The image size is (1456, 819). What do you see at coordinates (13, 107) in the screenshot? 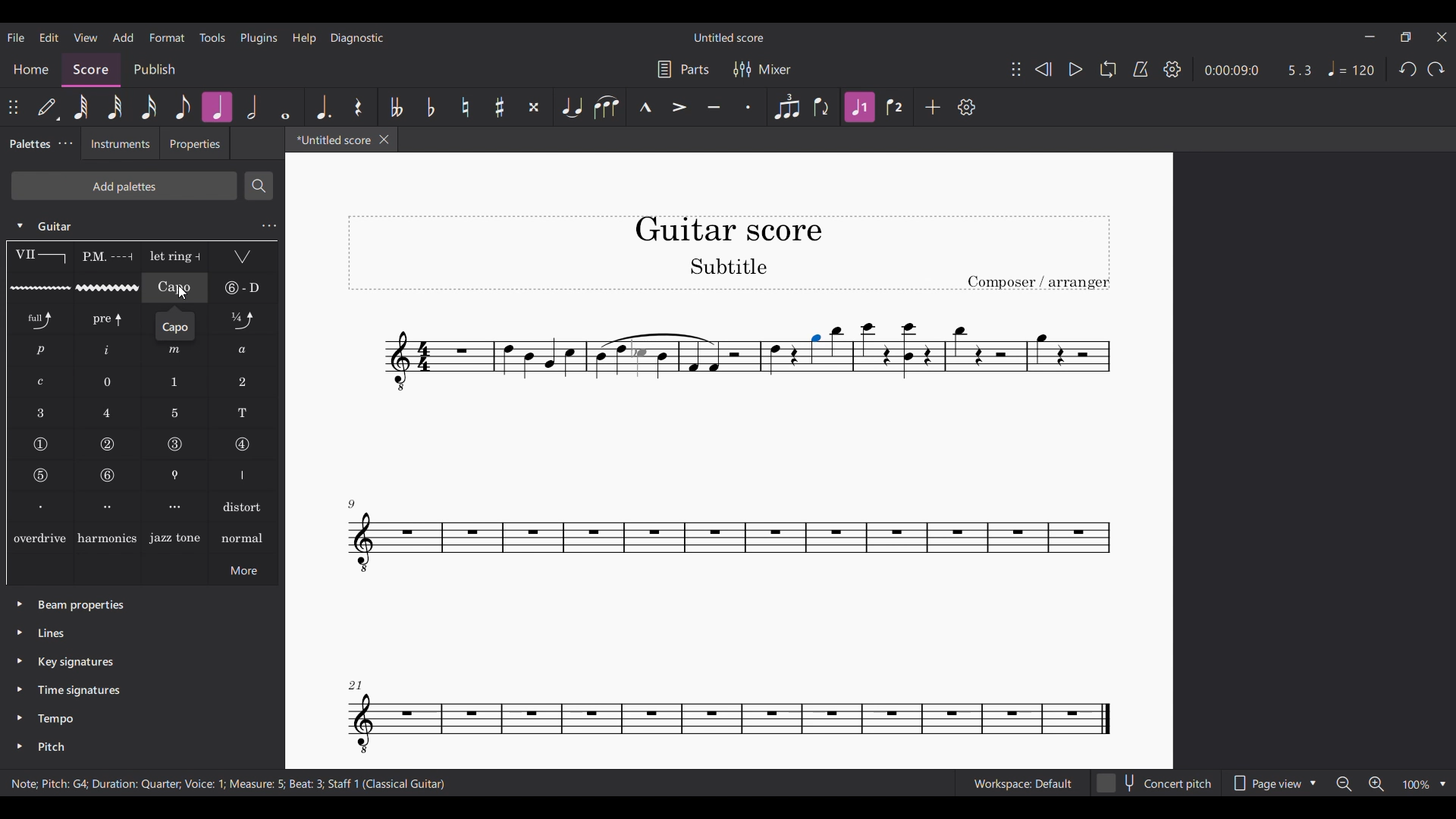
I see `Change position` at bounding box center [13, 107].